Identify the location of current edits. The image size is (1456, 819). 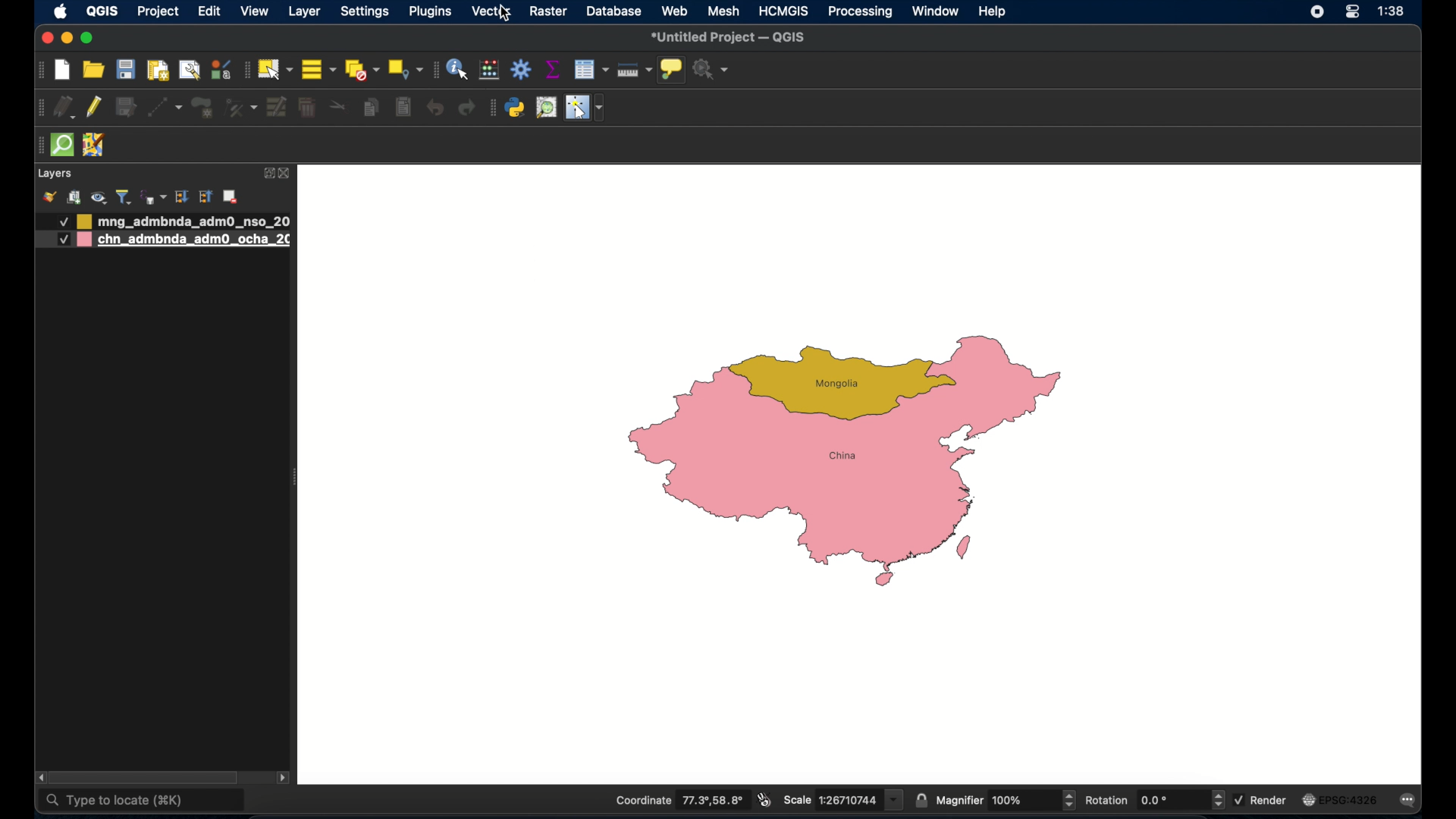
(65, 108).